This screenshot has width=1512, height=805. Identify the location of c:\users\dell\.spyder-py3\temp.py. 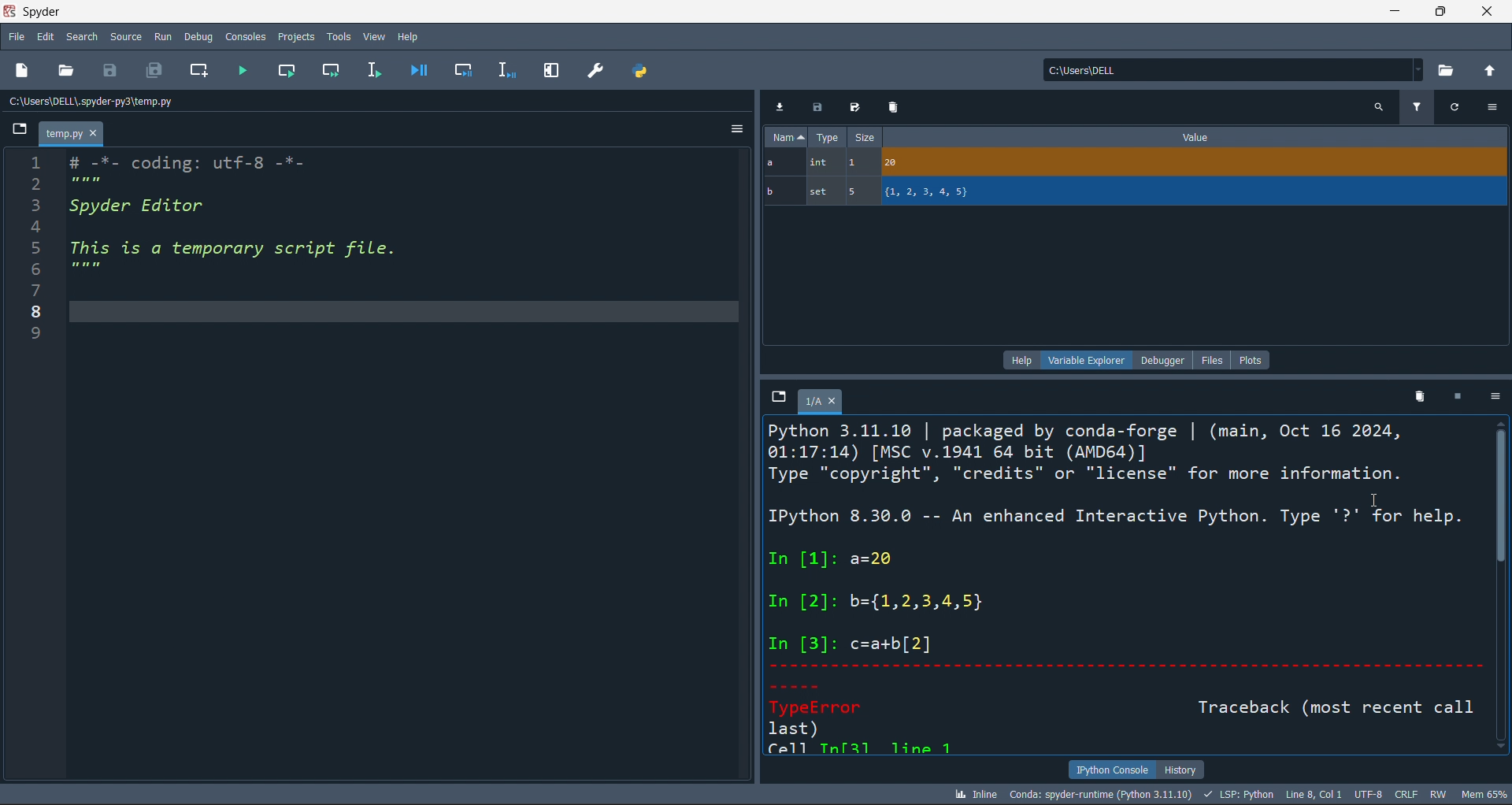
(135, 102).